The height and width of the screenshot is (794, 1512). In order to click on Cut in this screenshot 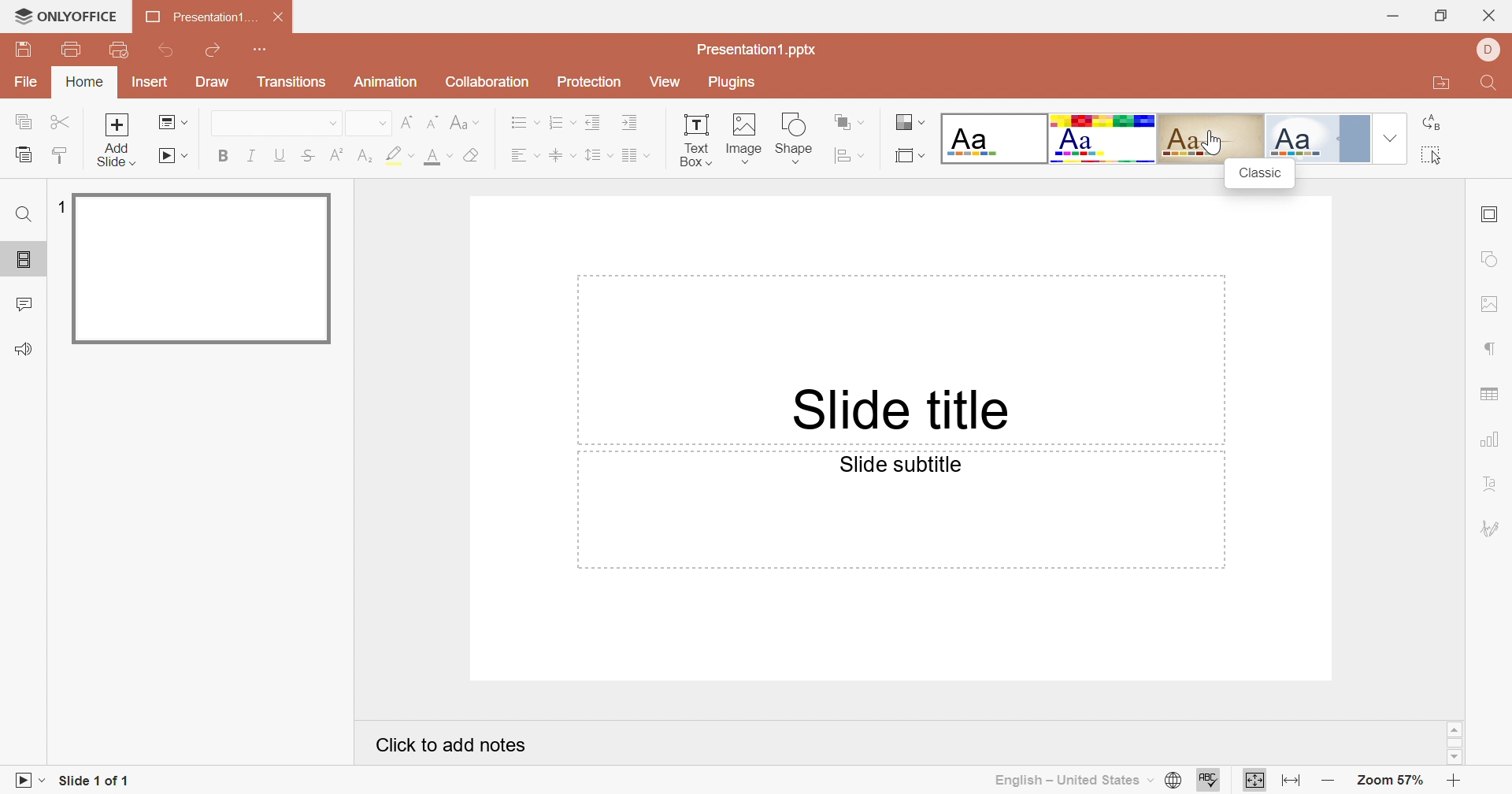, I will do `click(64, 118)`.